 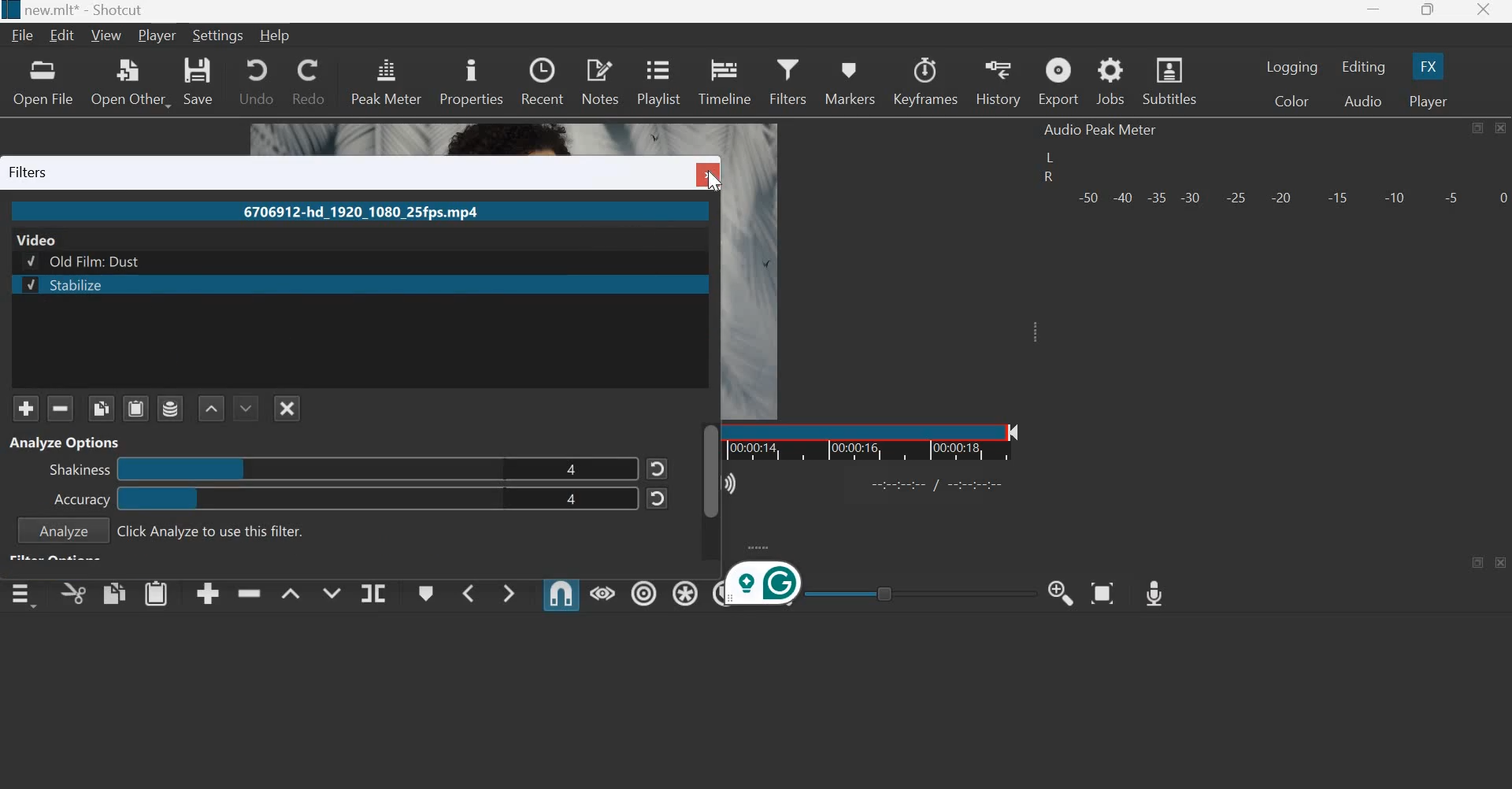 What do you see at coordinates (791, 80) in the screenshot?
I see `Filters` at bounding box center [791, 80].